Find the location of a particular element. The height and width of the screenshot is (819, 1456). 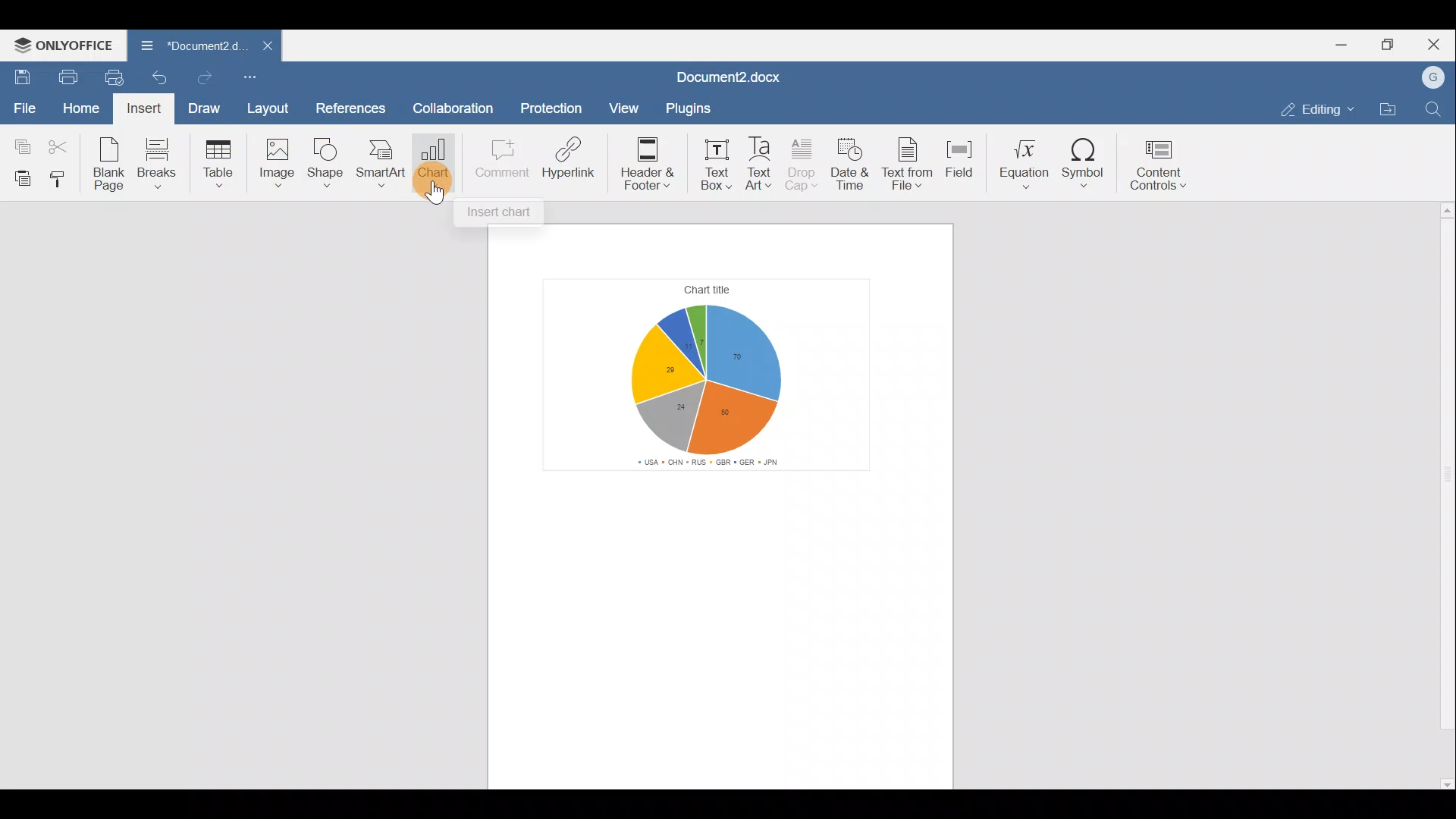

Scroll bar is located at coordinates (1443, 497).